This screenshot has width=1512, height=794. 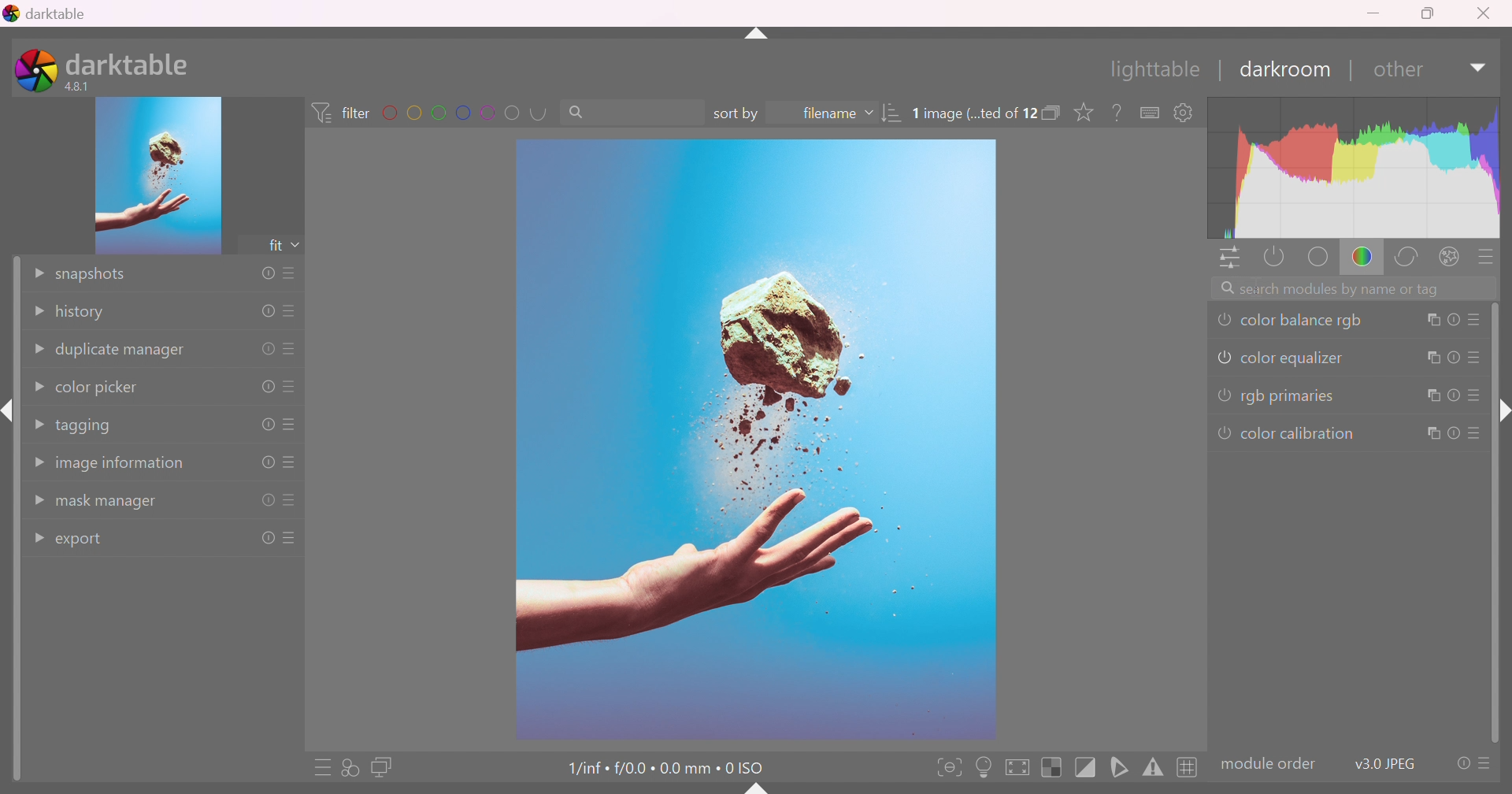 What do you see at coordinates (1376, 13) in the screenshot?
I see `Minimize` at bounding box center [1376, 13].